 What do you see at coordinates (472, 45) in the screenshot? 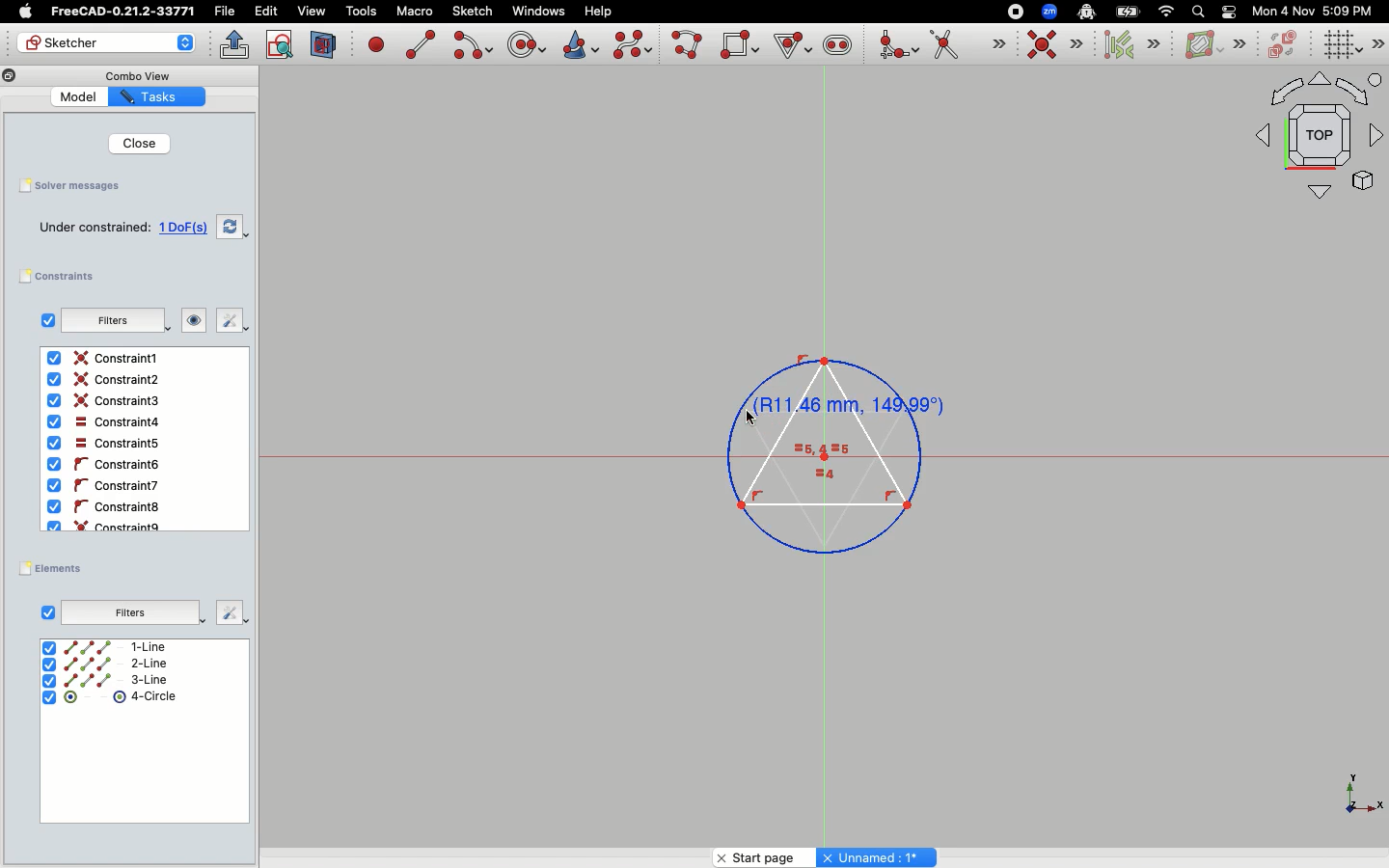
I see `Create arc` at bounding box center [472, 45].